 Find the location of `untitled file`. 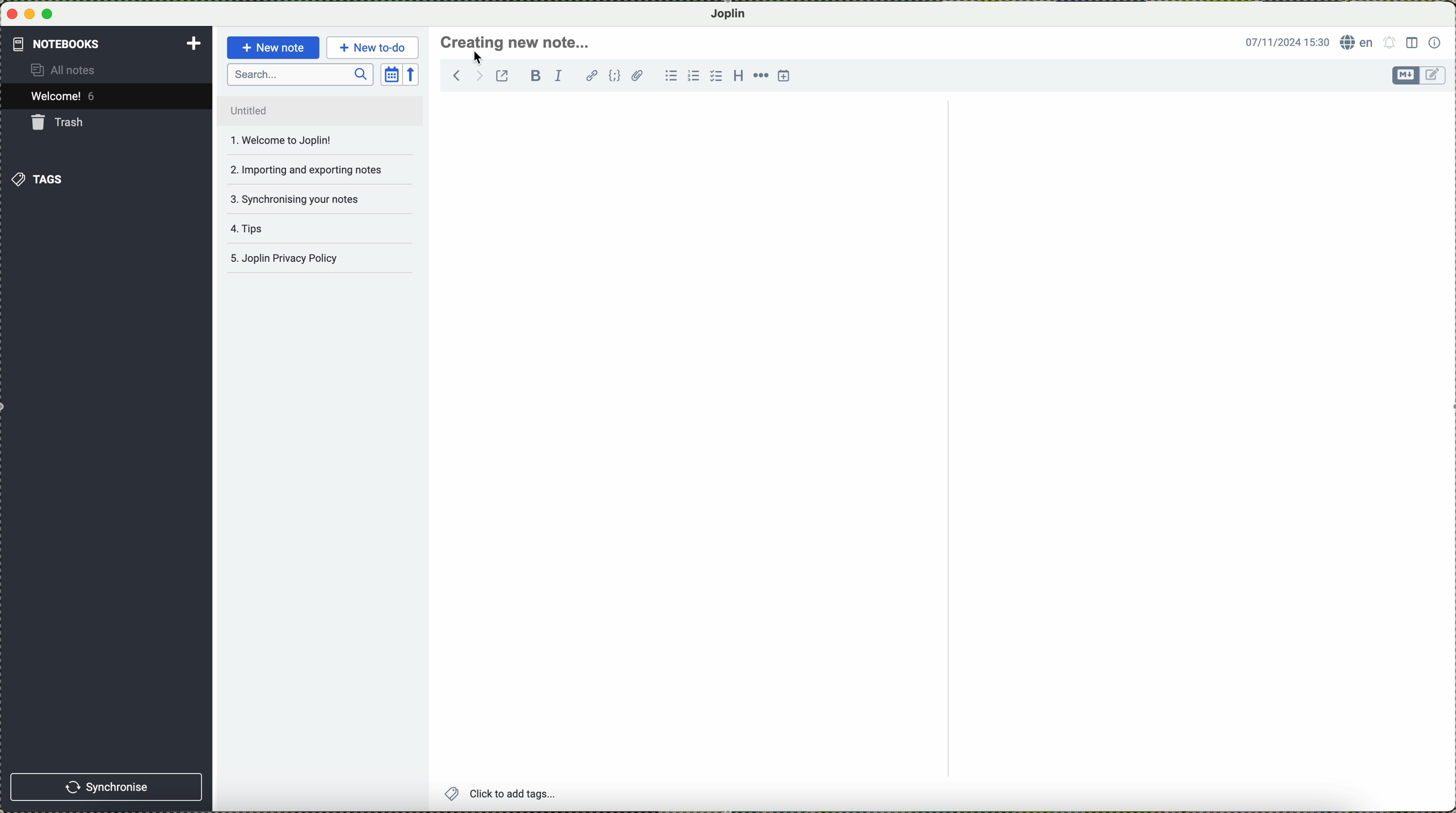

untitled file is located at coordinates (318, 111).